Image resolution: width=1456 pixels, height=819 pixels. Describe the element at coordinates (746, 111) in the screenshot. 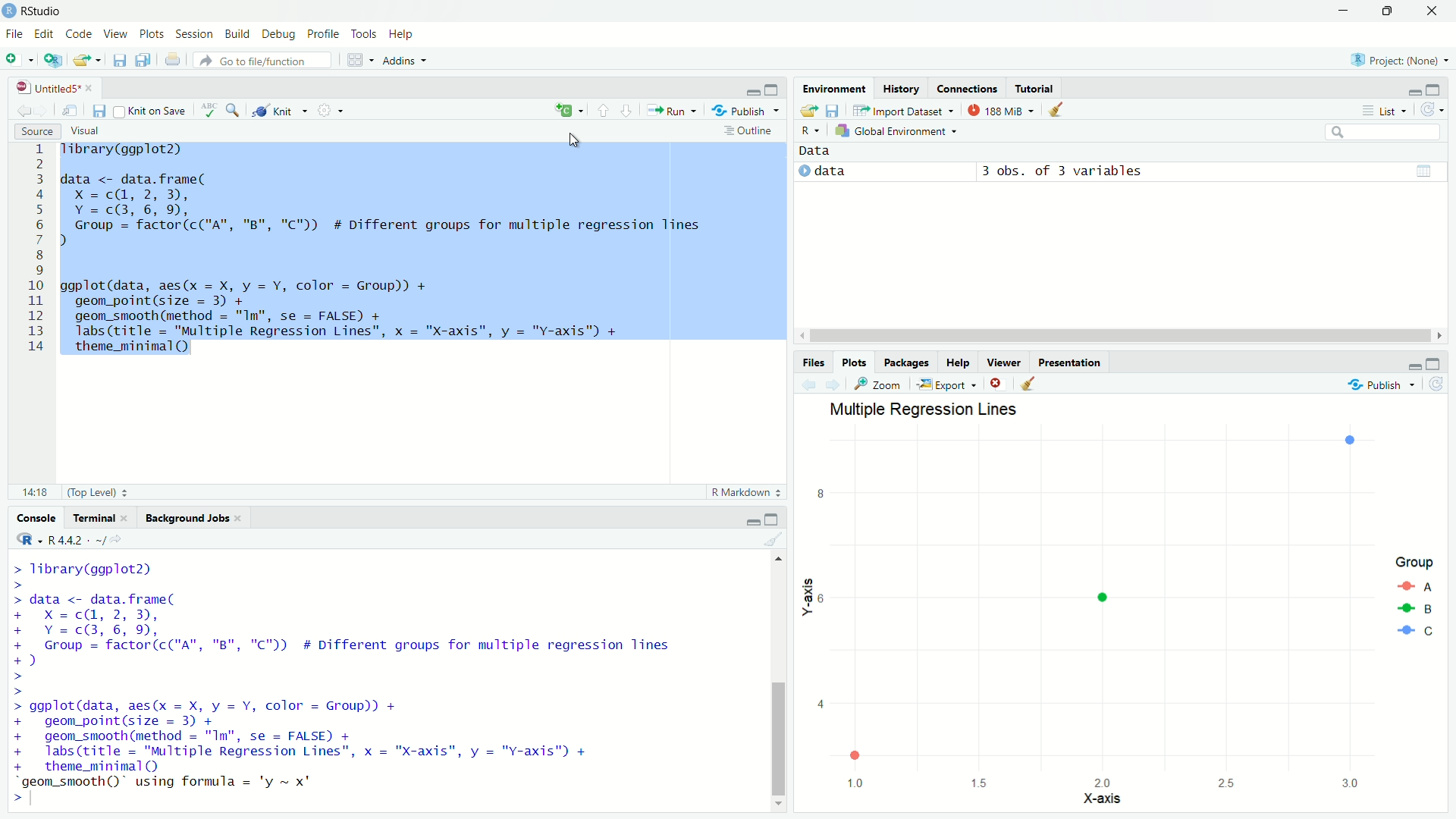

I see `Publish ~` at that location.